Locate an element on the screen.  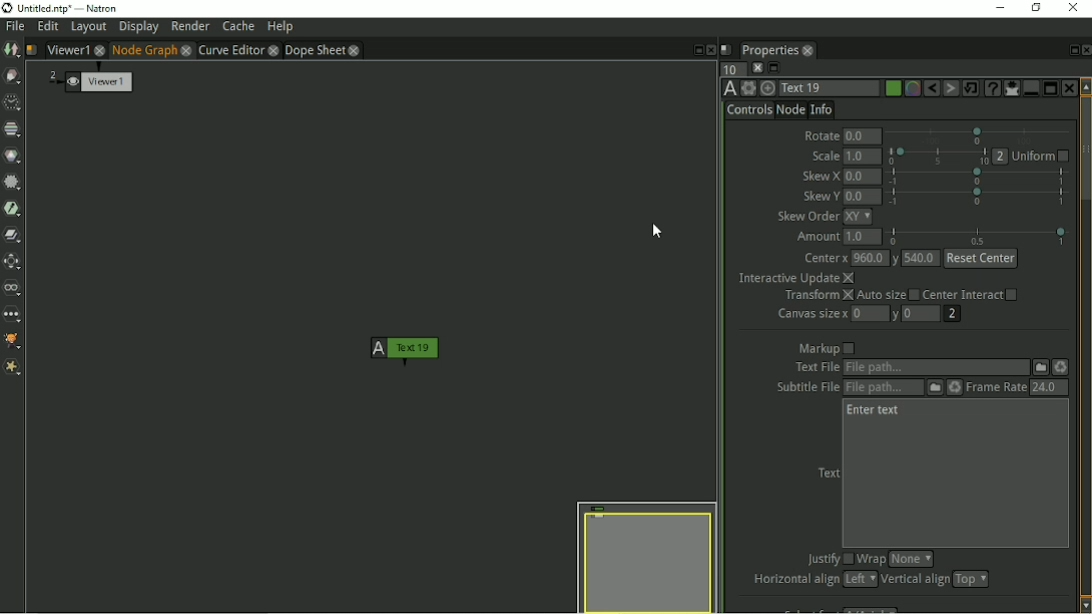
TextOFX version 6.13 is located at coordinates (727, 89).